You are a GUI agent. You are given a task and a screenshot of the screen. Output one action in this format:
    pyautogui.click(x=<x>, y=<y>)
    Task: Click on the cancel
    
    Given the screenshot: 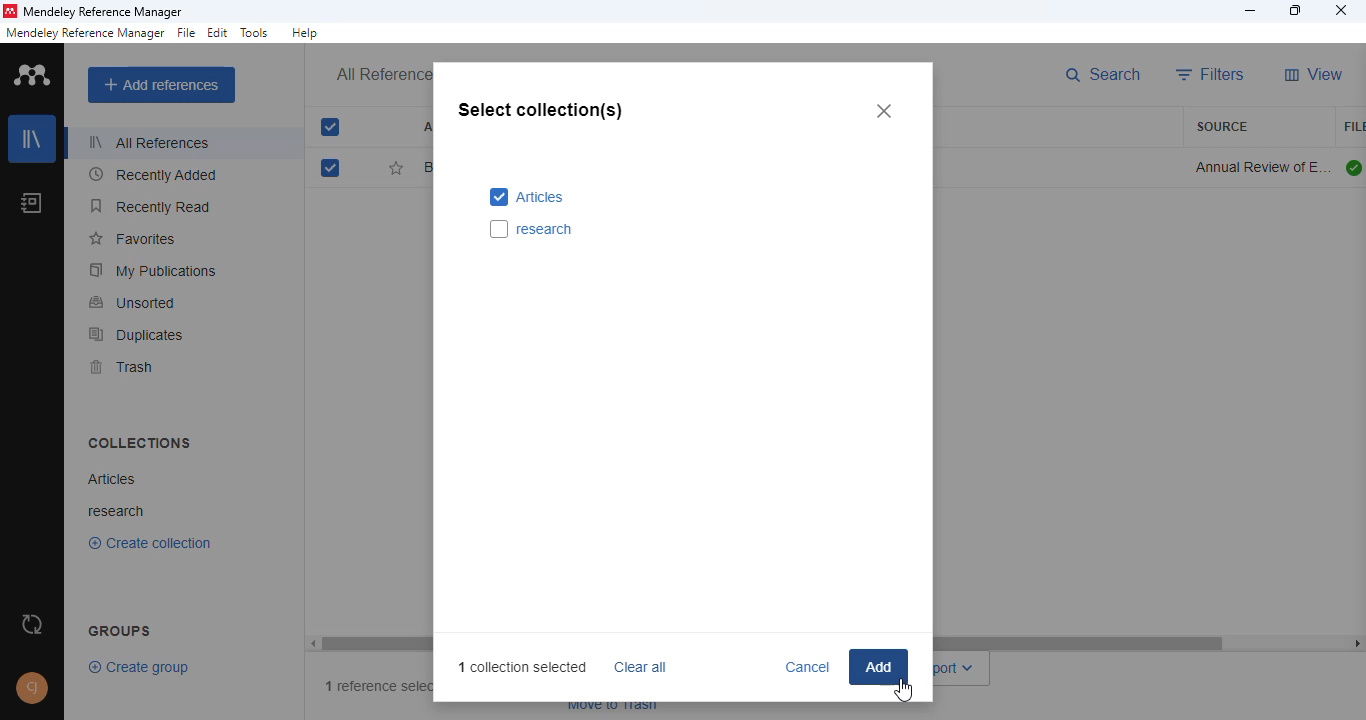 What is the action you would take?
    pyautogui.click(x=808, y=668)
    